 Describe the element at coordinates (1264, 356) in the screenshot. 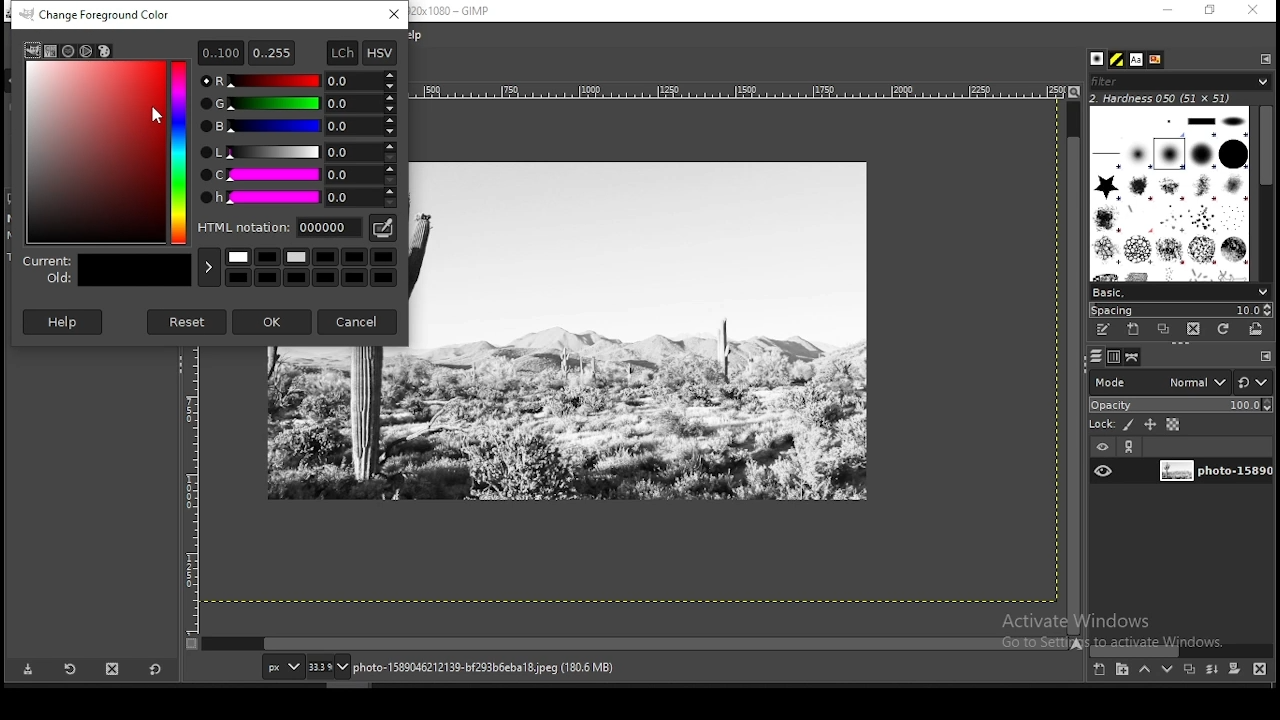

I see `configure this pane` at that location.